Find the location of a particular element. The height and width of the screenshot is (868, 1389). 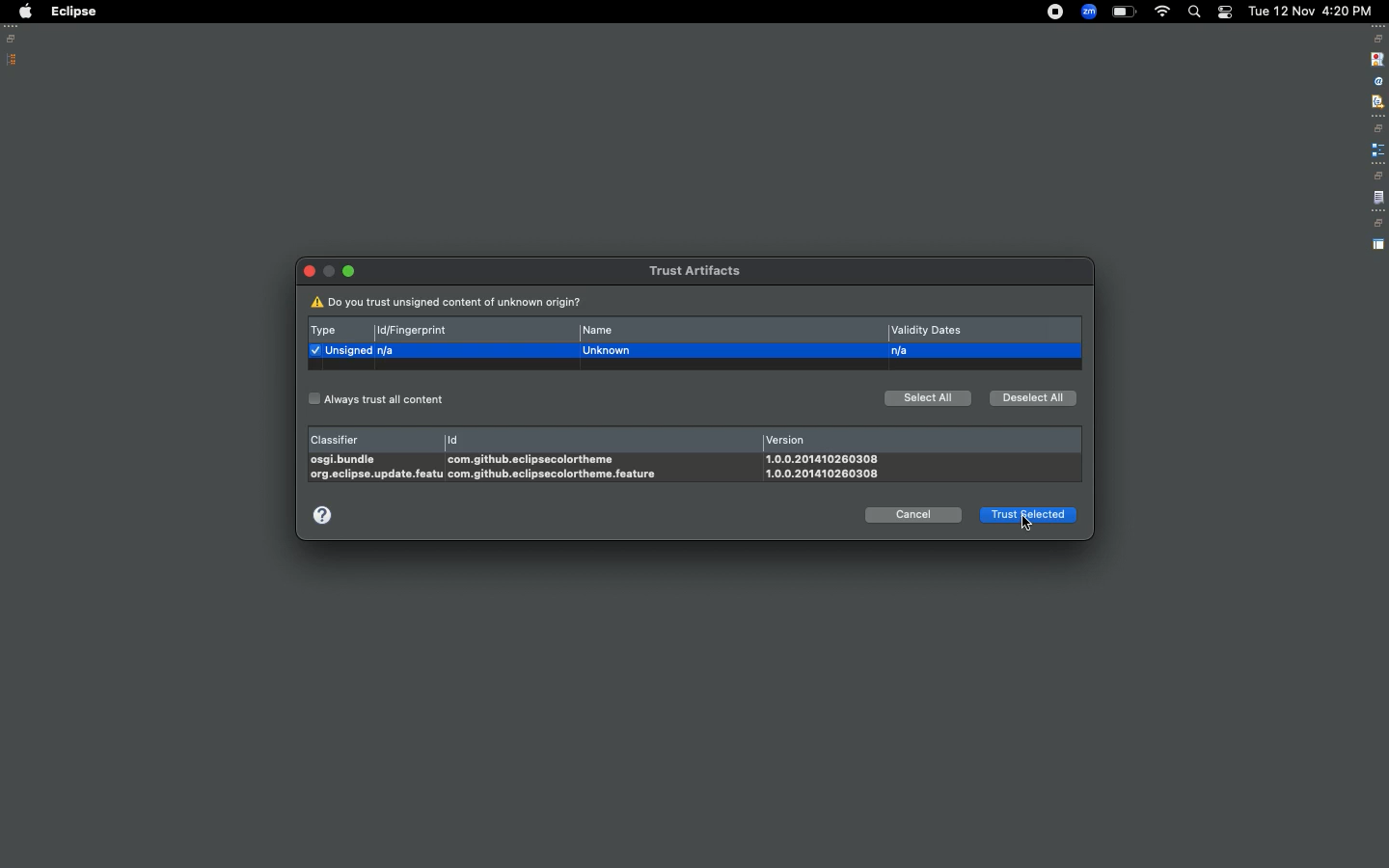

Date/time is located at coordinates (1312, 10).